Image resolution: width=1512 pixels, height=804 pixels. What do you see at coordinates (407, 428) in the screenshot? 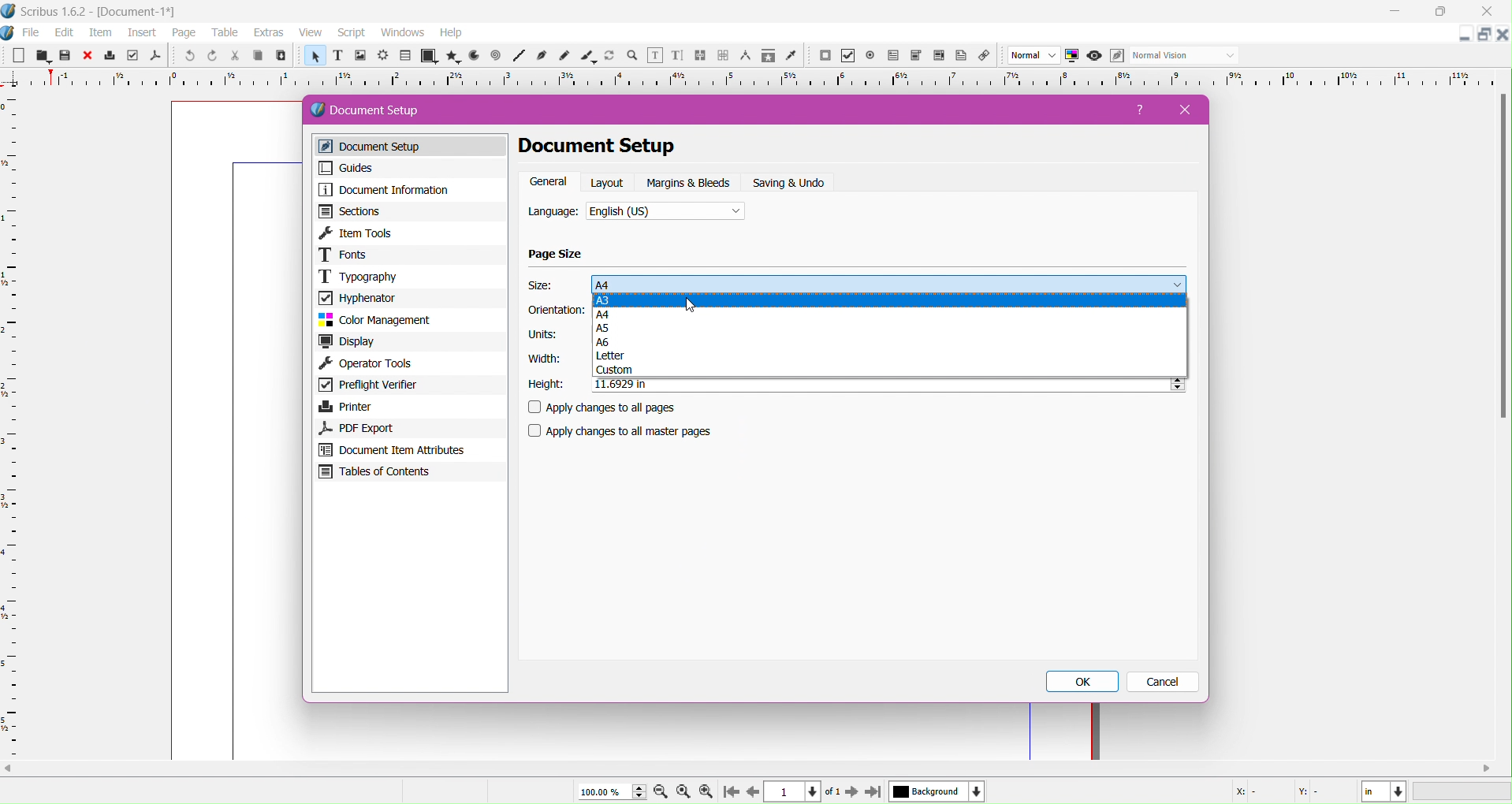
I see `PDF Export` at bounding box center [407, 428].